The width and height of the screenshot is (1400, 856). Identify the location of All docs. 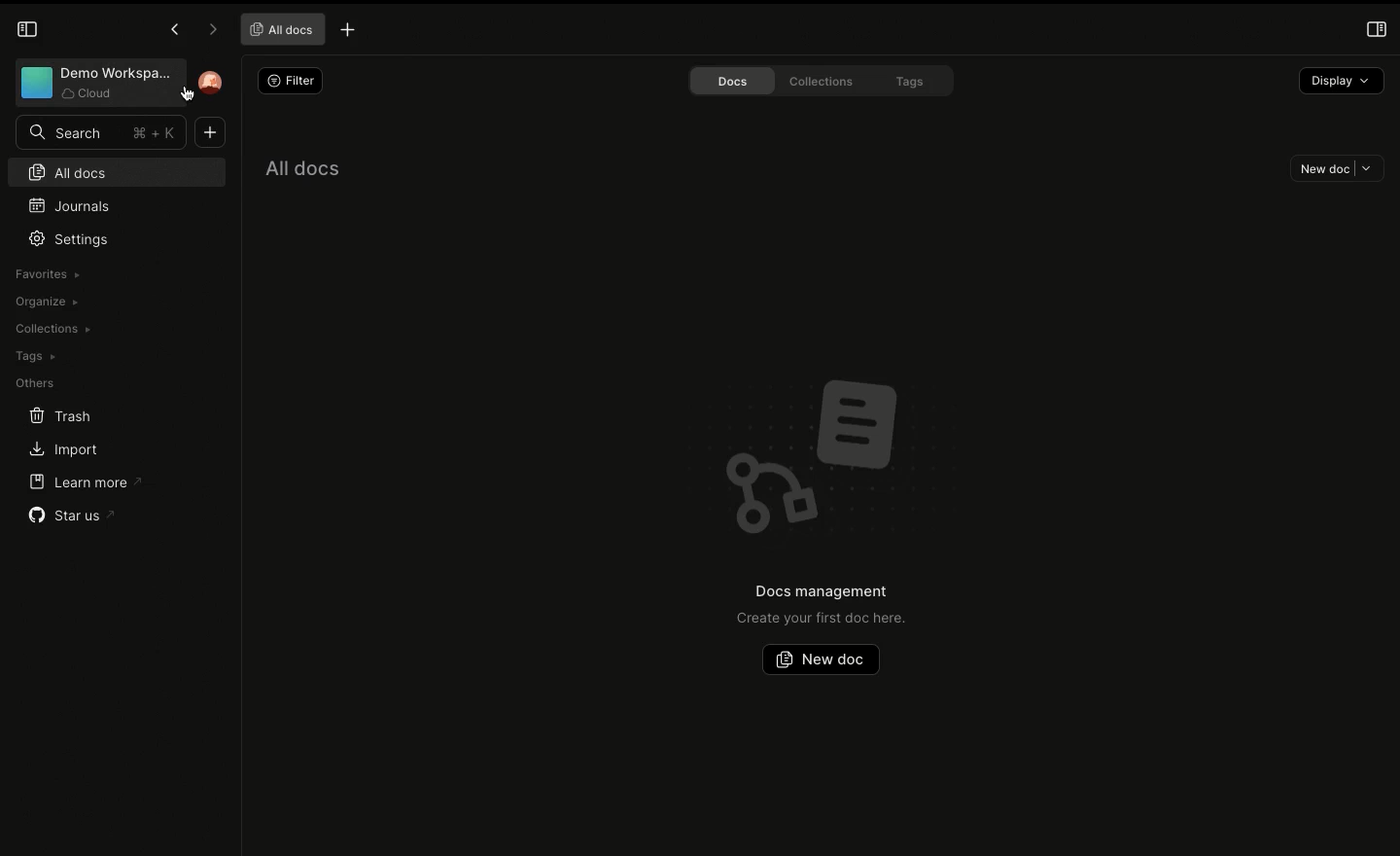
(277, 30).